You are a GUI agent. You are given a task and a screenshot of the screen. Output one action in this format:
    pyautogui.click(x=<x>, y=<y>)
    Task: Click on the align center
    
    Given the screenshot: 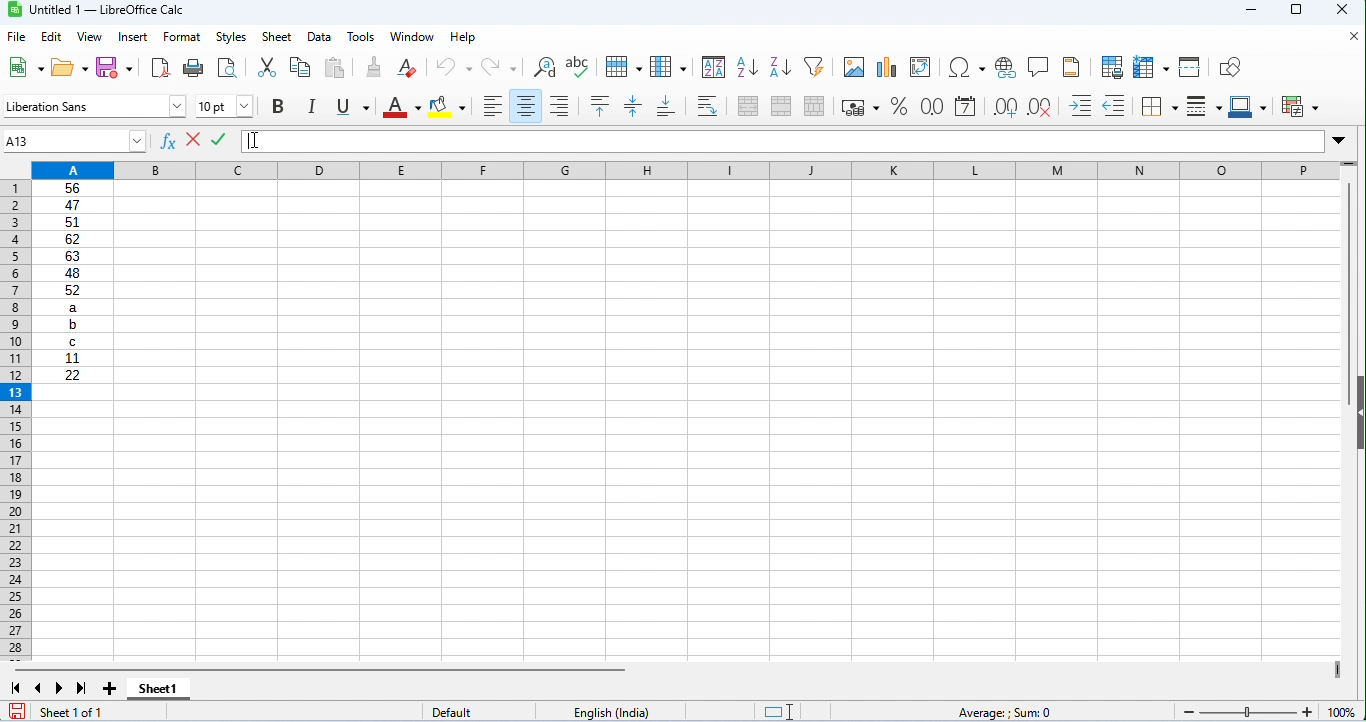 What is the action you would take?
    pyautogui.click(x=524, y=106)
    